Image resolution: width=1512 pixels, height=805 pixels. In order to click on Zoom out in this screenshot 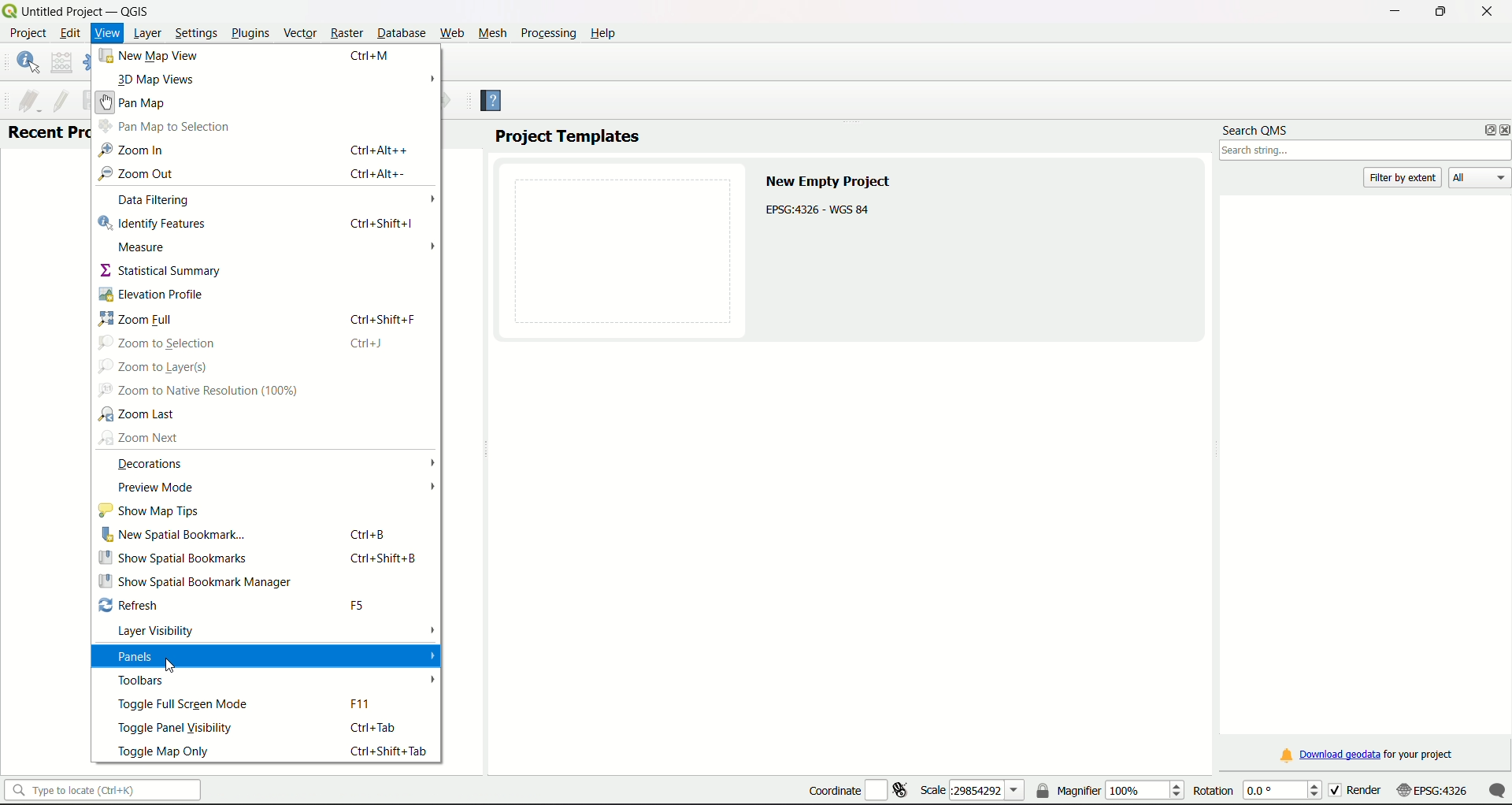, I will do `click(135, 175)`.